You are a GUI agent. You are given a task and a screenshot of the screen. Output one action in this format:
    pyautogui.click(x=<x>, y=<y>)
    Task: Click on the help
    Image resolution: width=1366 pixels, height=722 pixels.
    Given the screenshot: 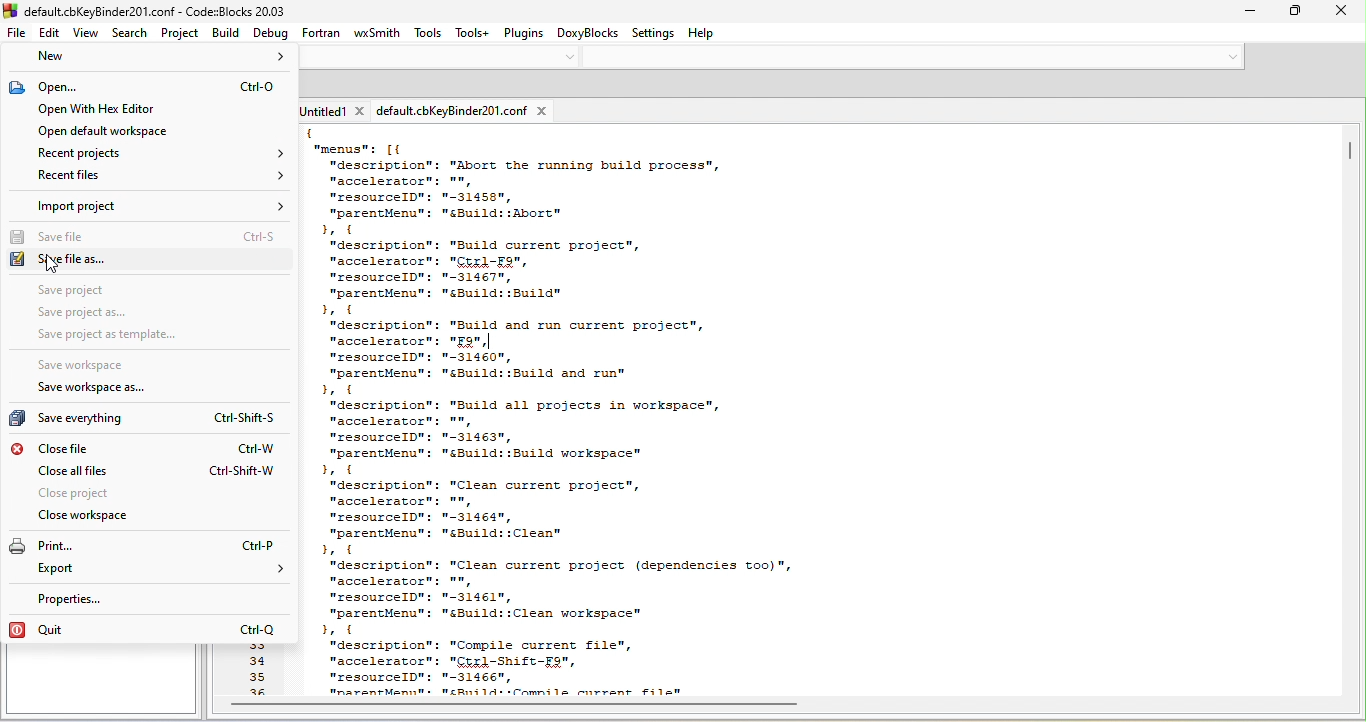 What is the action you would take?
    pyautogui.click(x=704, y=32)
    